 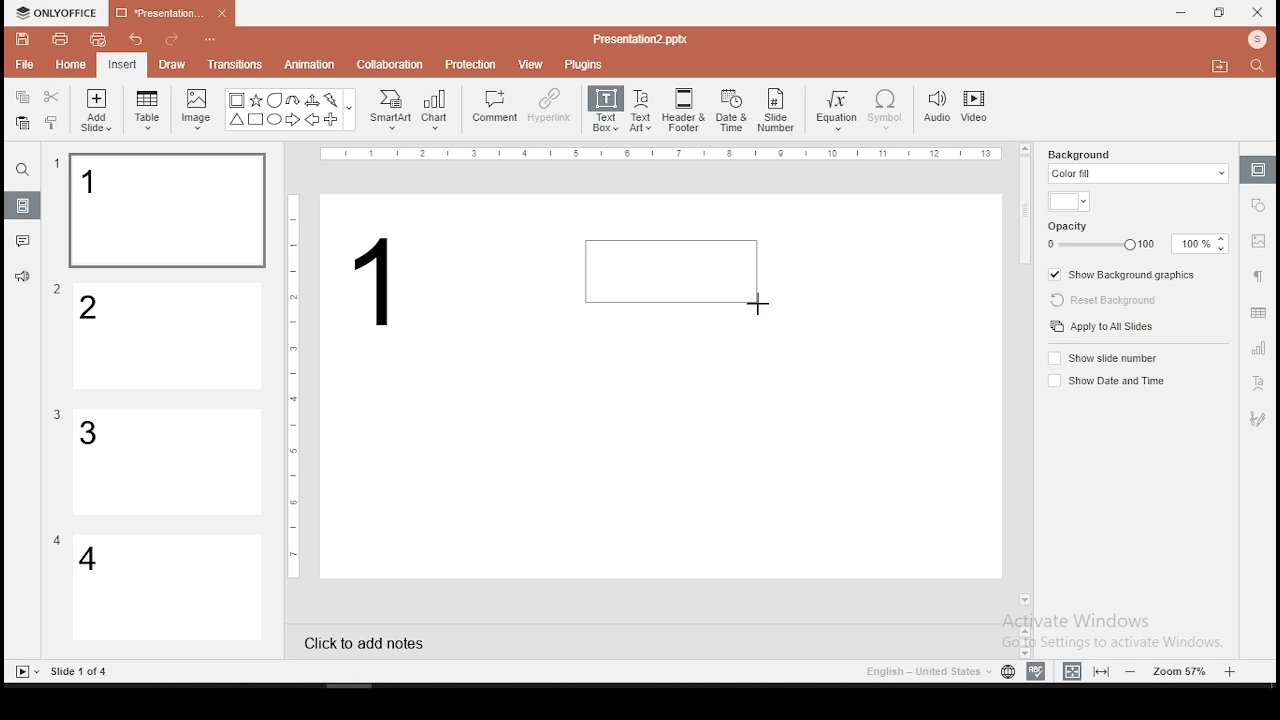 I want to click on , so click(x=1253, y=418).